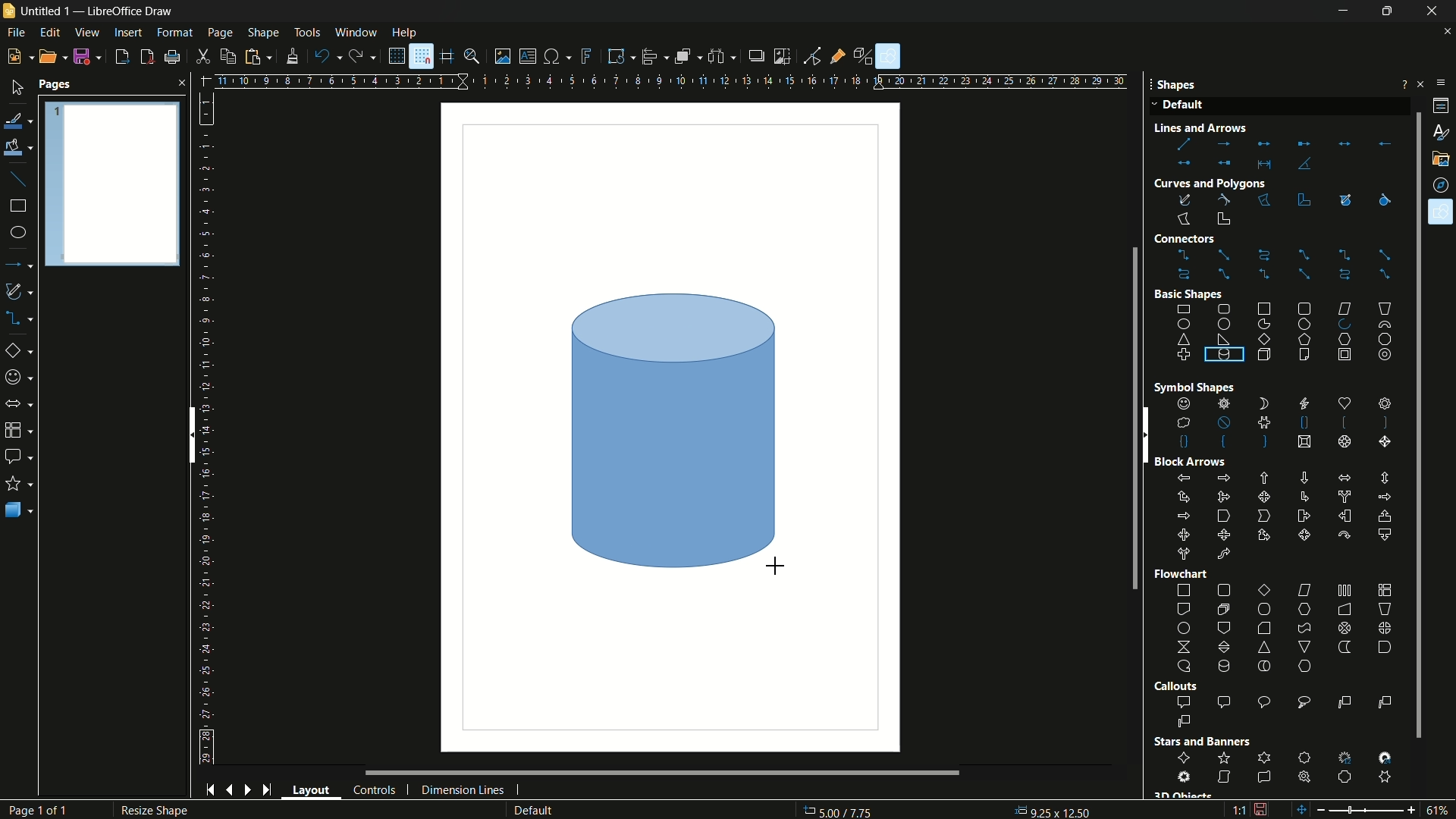 This screenshot has width=1456, height=819. I want to click on toggle point edit mode, so click(813, 56).